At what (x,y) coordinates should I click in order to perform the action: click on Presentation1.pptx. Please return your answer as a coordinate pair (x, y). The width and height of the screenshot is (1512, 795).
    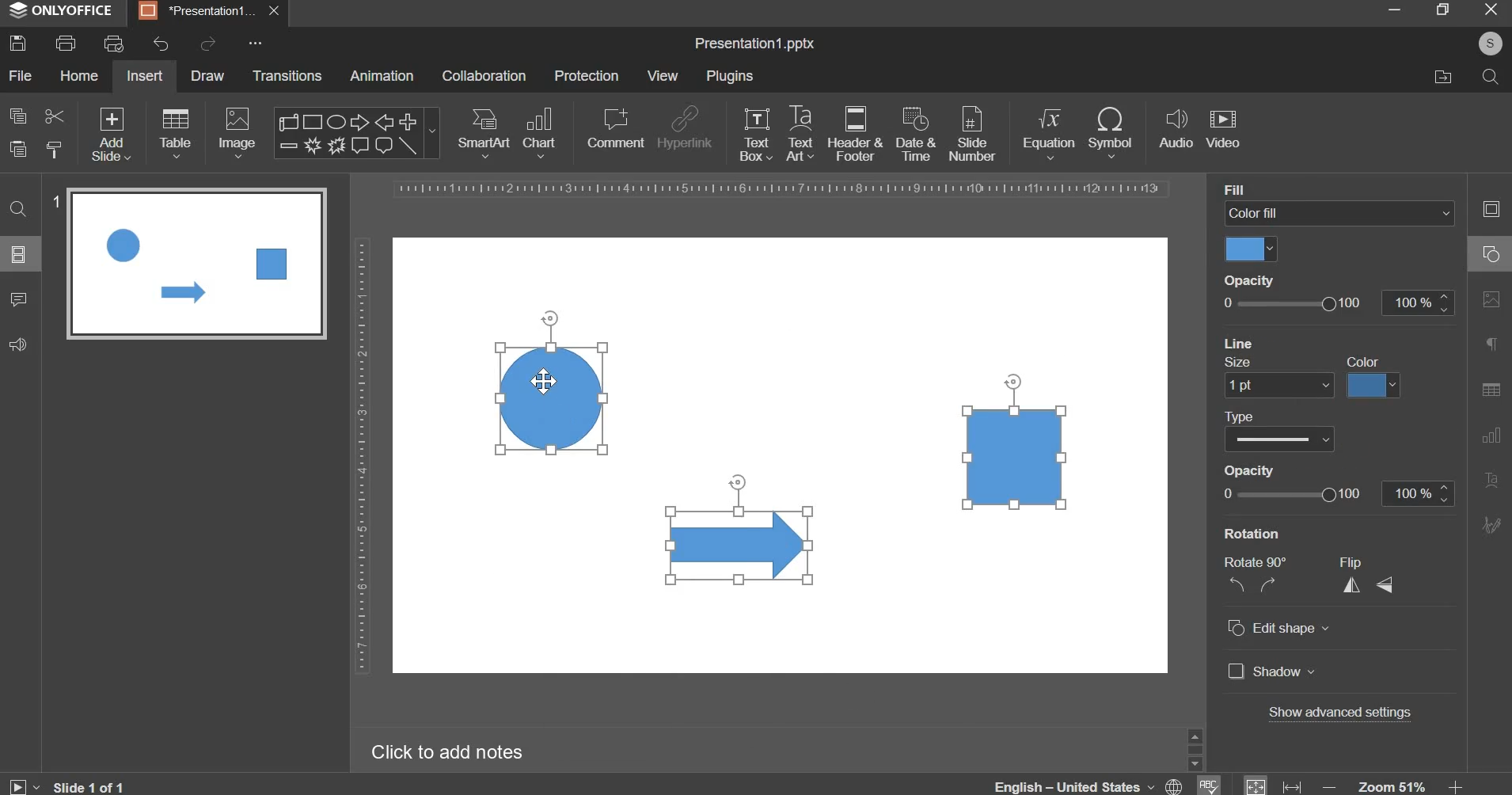
    Looking at the image, I should click on (754, 44).